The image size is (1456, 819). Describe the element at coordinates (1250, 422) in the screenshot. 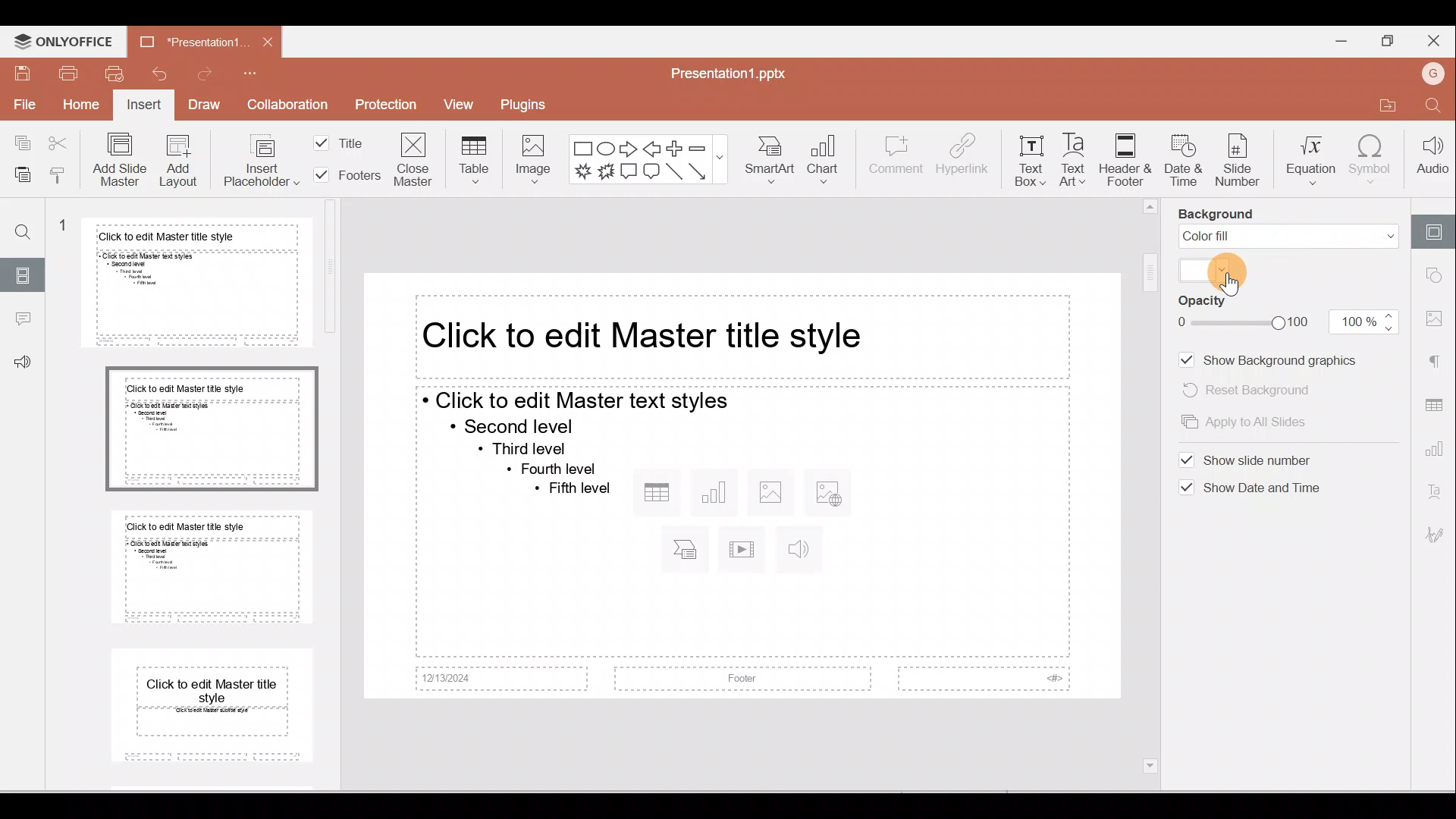

I see `Apply to all slides` at that location.